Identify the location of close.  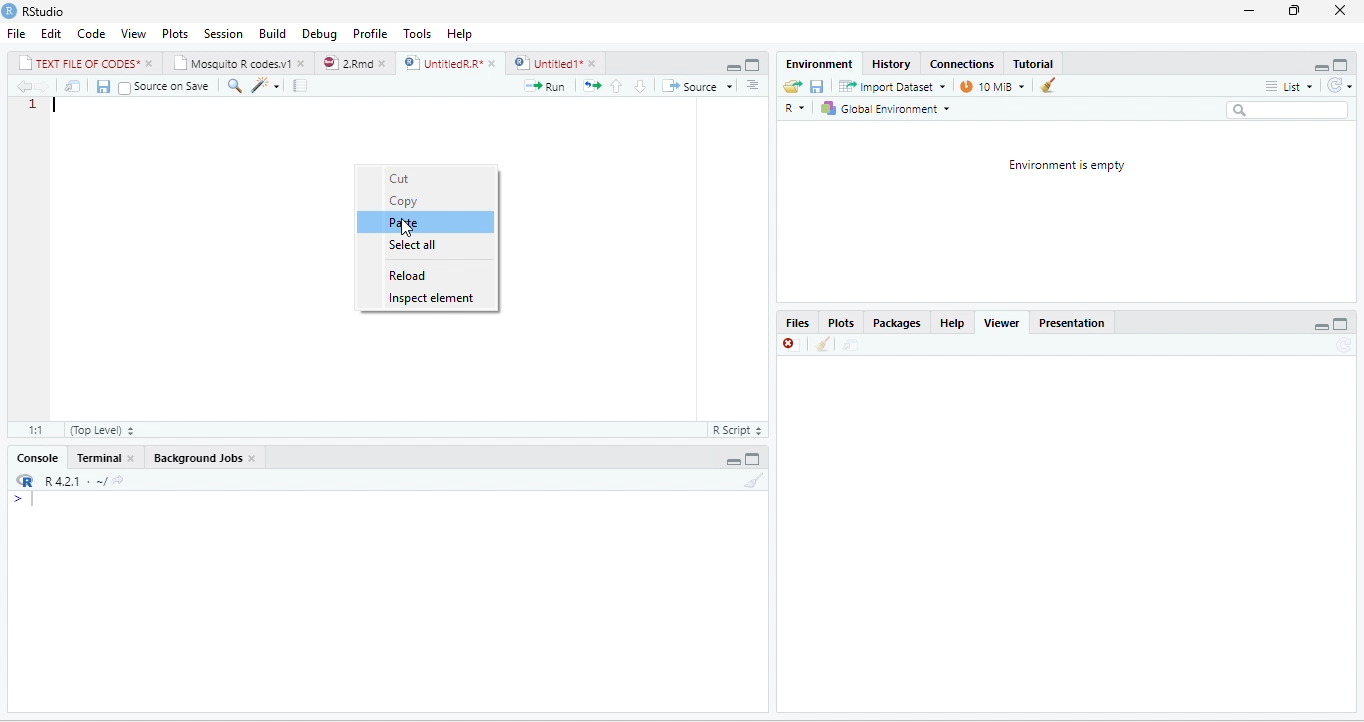
(595, 63).